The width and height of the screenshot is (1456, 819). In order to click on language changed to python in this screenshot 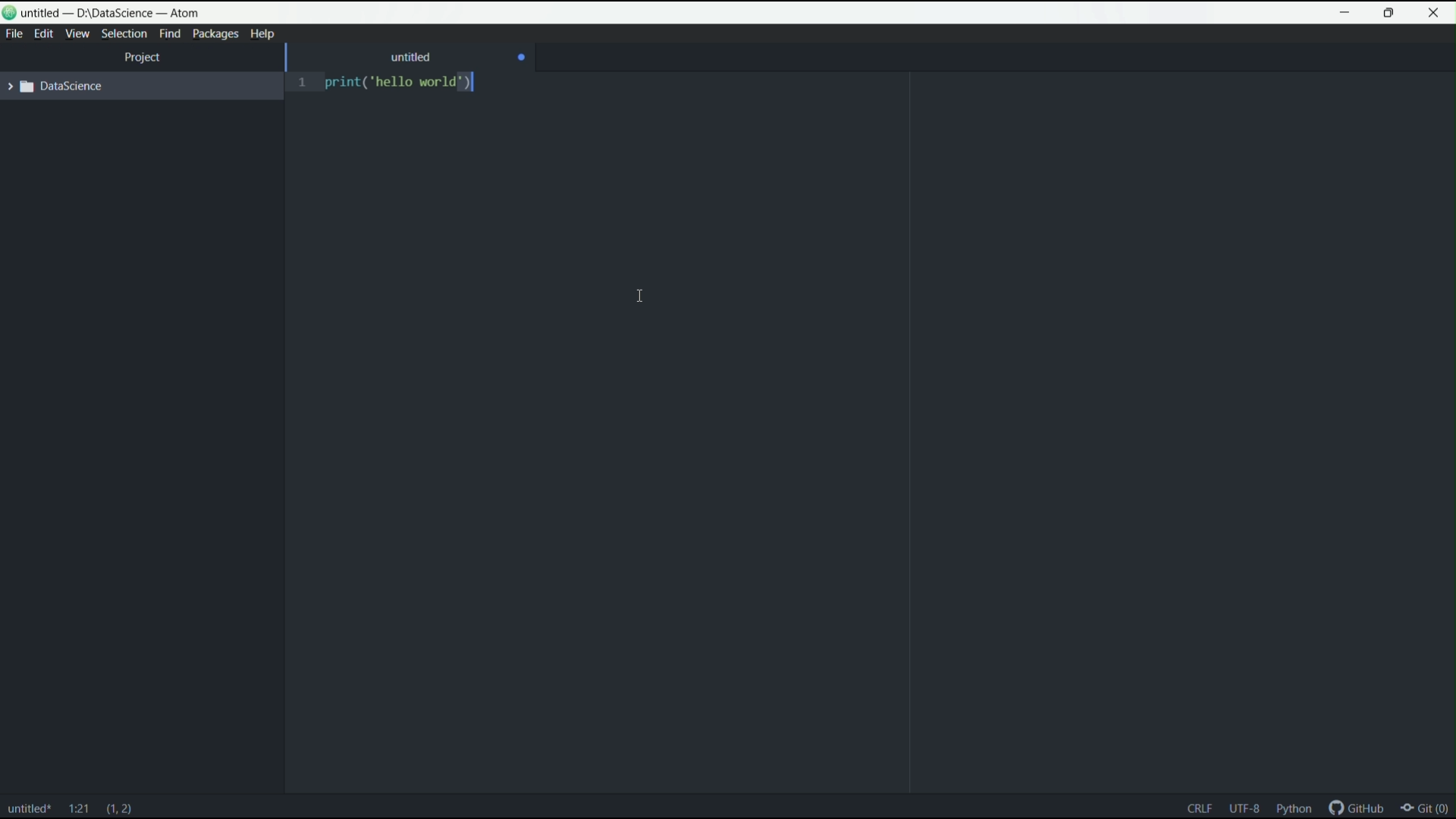, I will do `click(1294, 807)`.